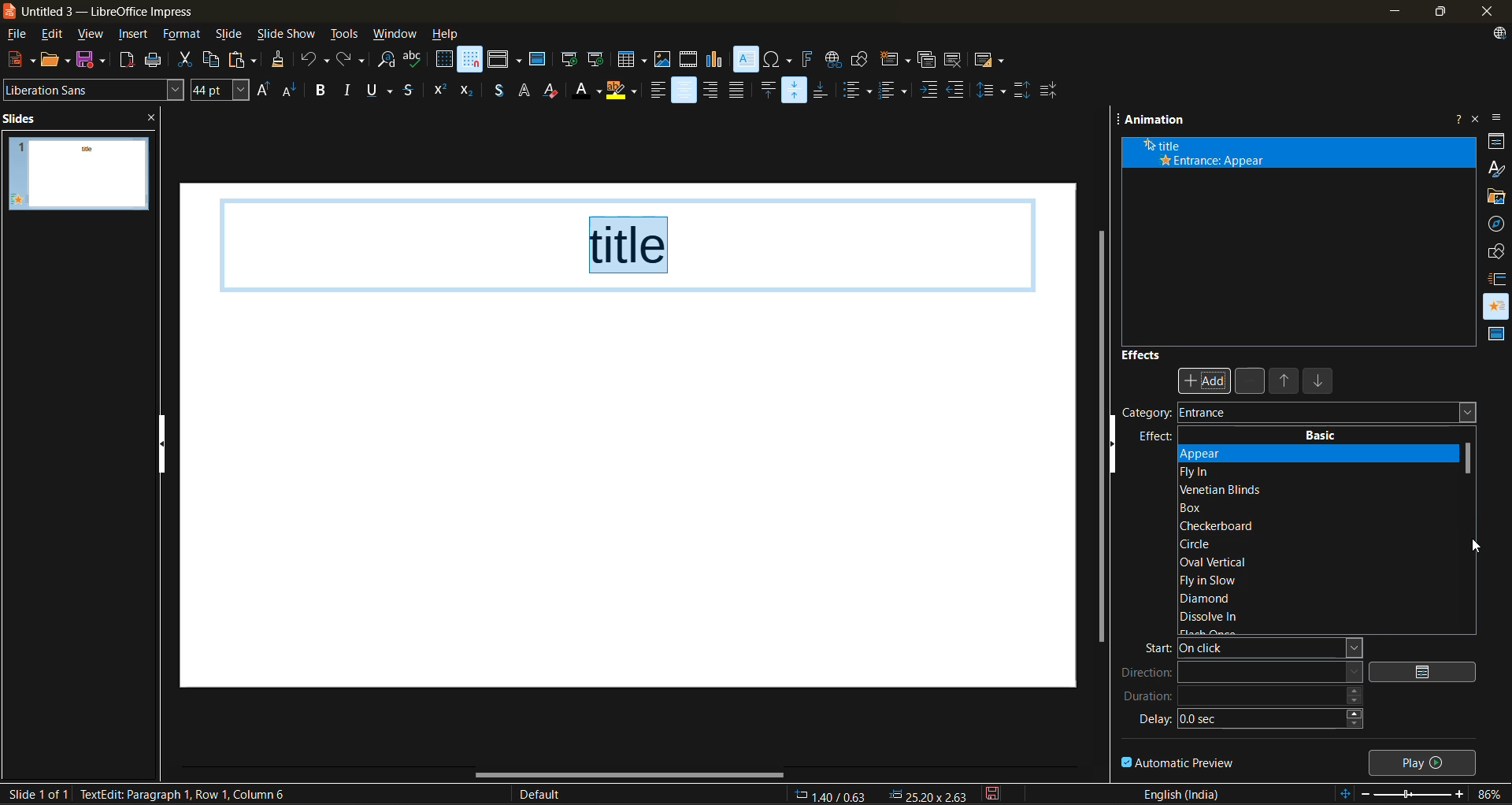  I want to click on insert text box, so click(744, 60).